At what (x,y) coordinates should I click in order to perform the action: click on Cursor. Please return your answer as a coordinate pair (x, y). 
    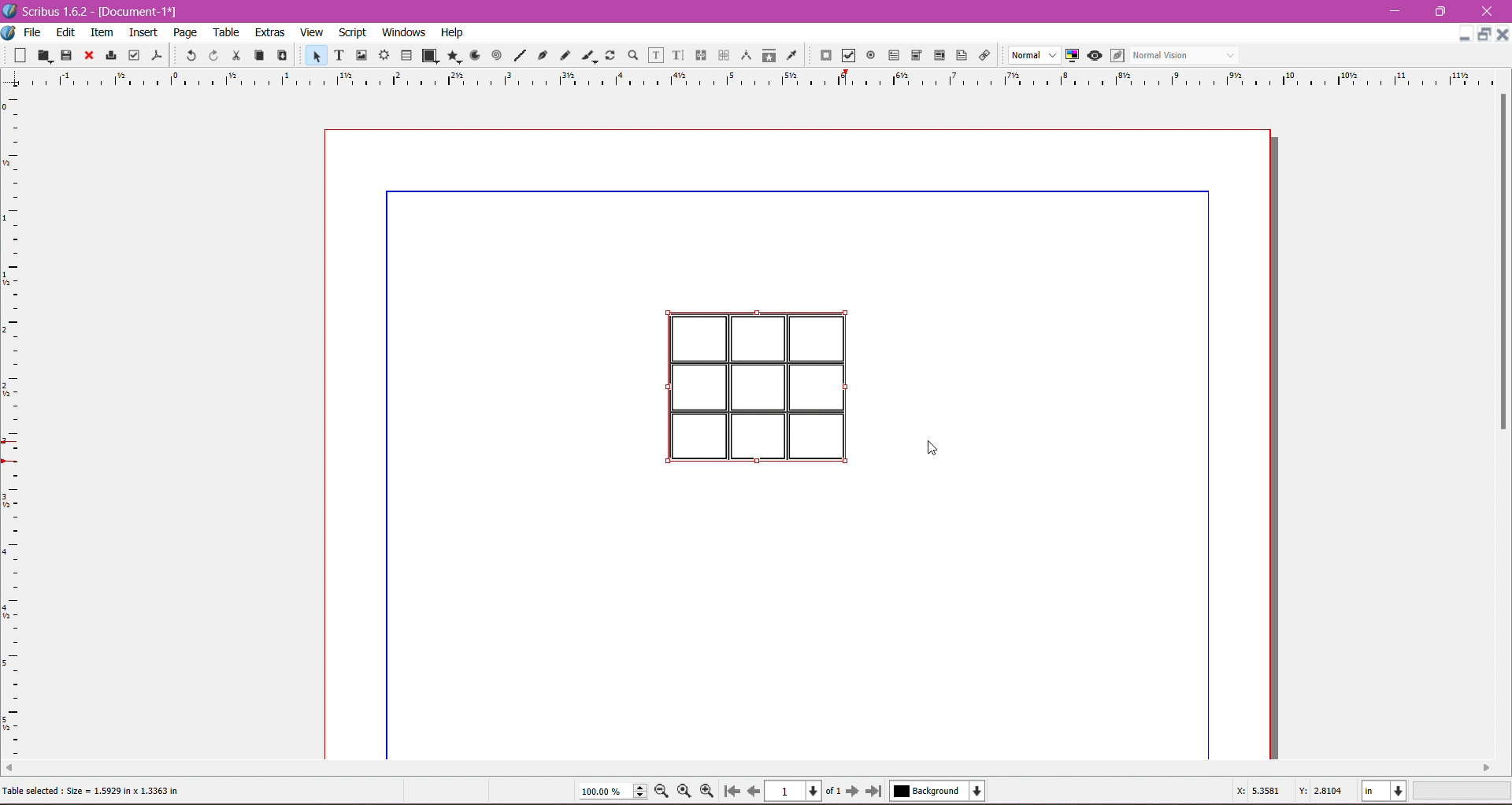
    Looking at the image, I should click on (936, 449).